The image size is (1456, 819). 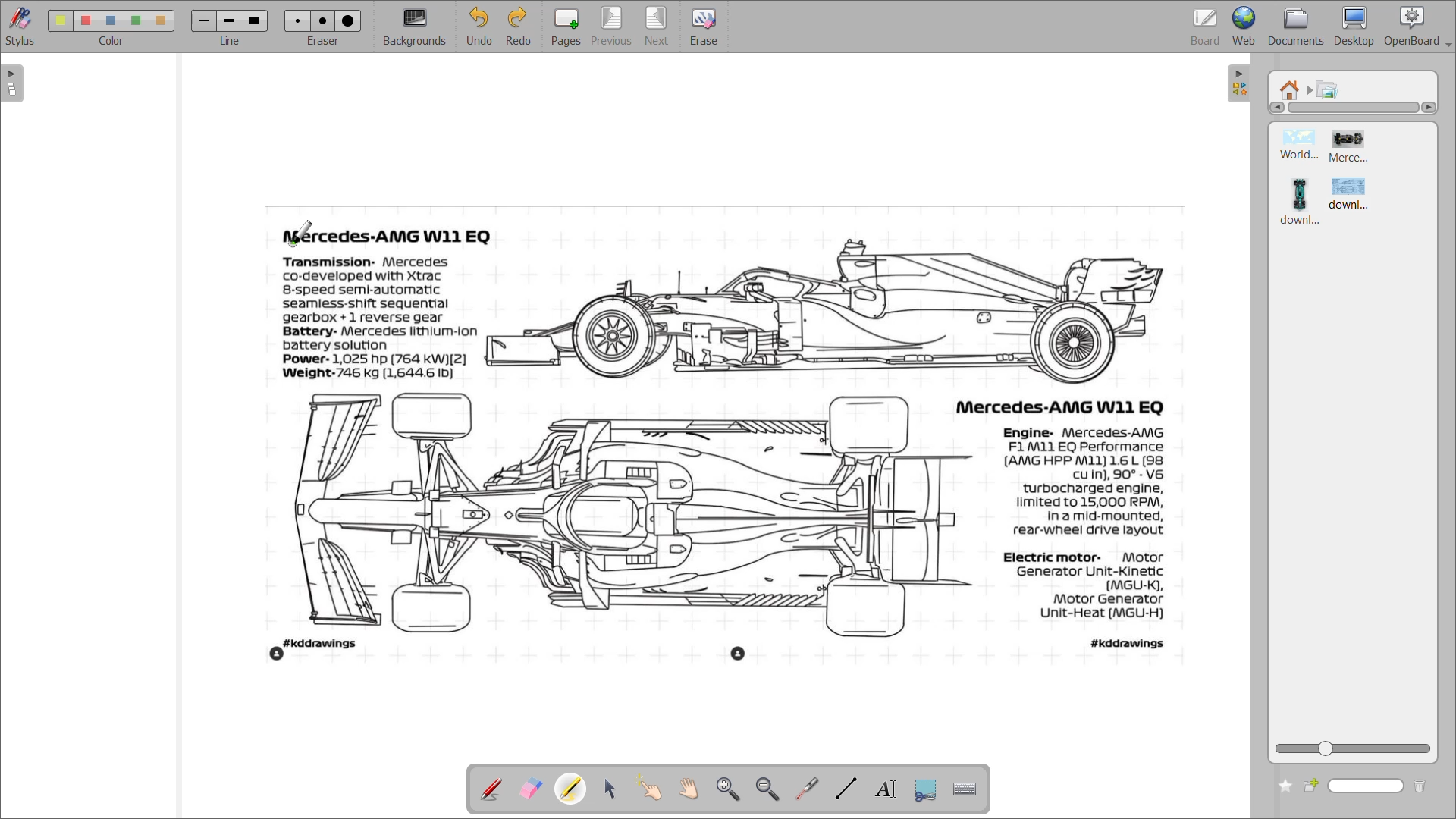 I want to click on zoom slider, so click(x=1350, y=750).